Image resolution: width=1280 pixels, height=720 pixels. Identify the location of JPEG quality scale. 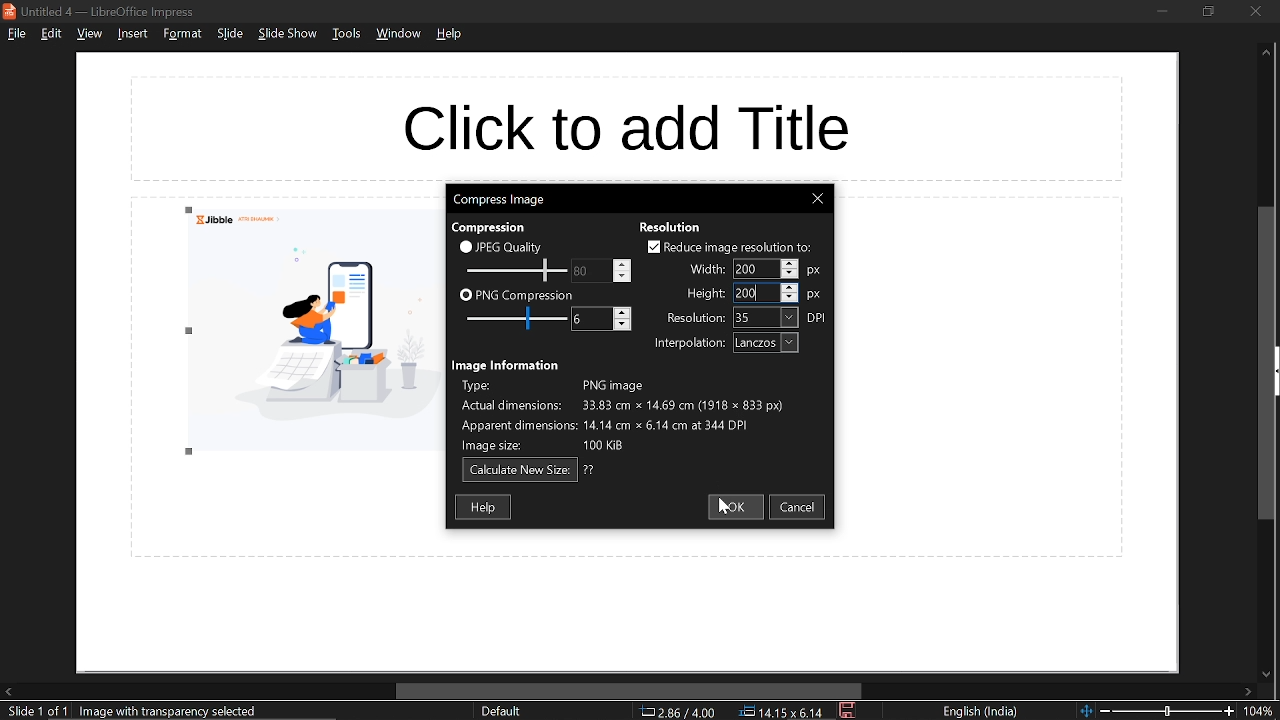
(519, 320).